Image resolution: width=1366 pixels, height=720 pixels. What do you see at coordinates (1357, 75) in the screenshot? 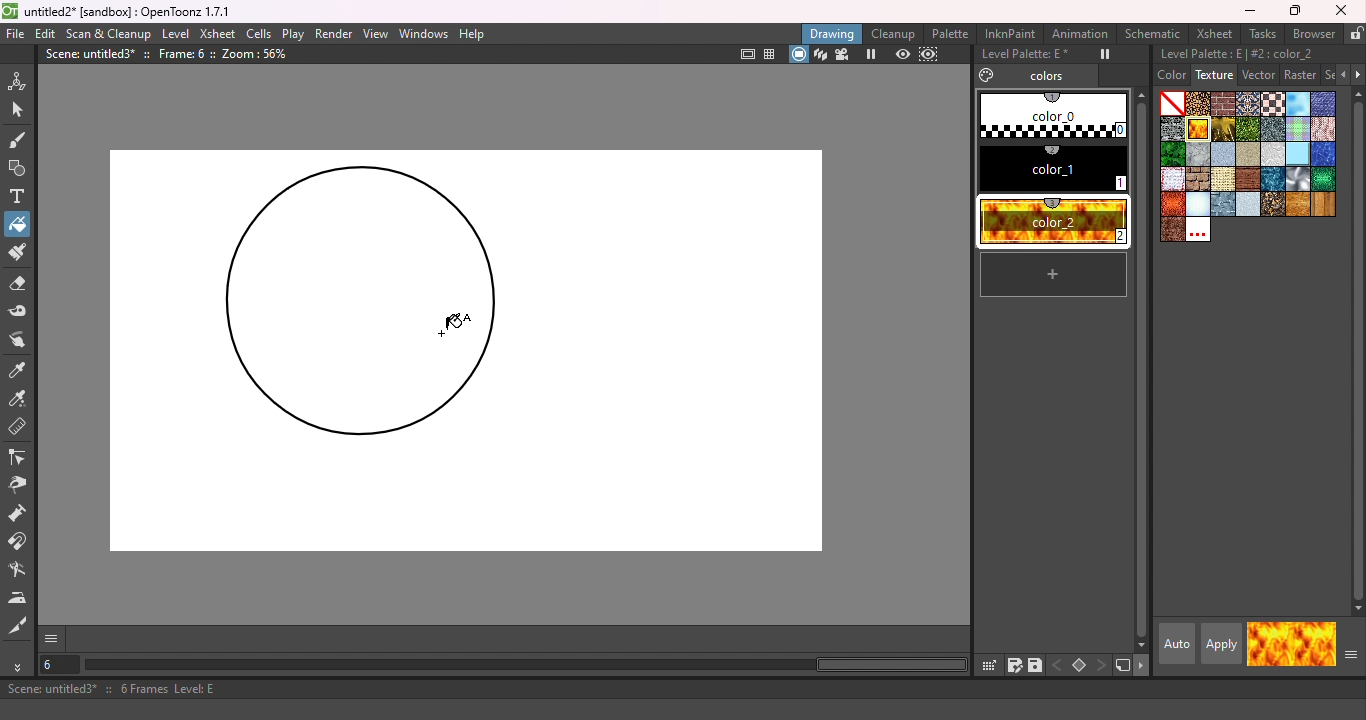
I see `Next` at bounding box center [1357, 75].